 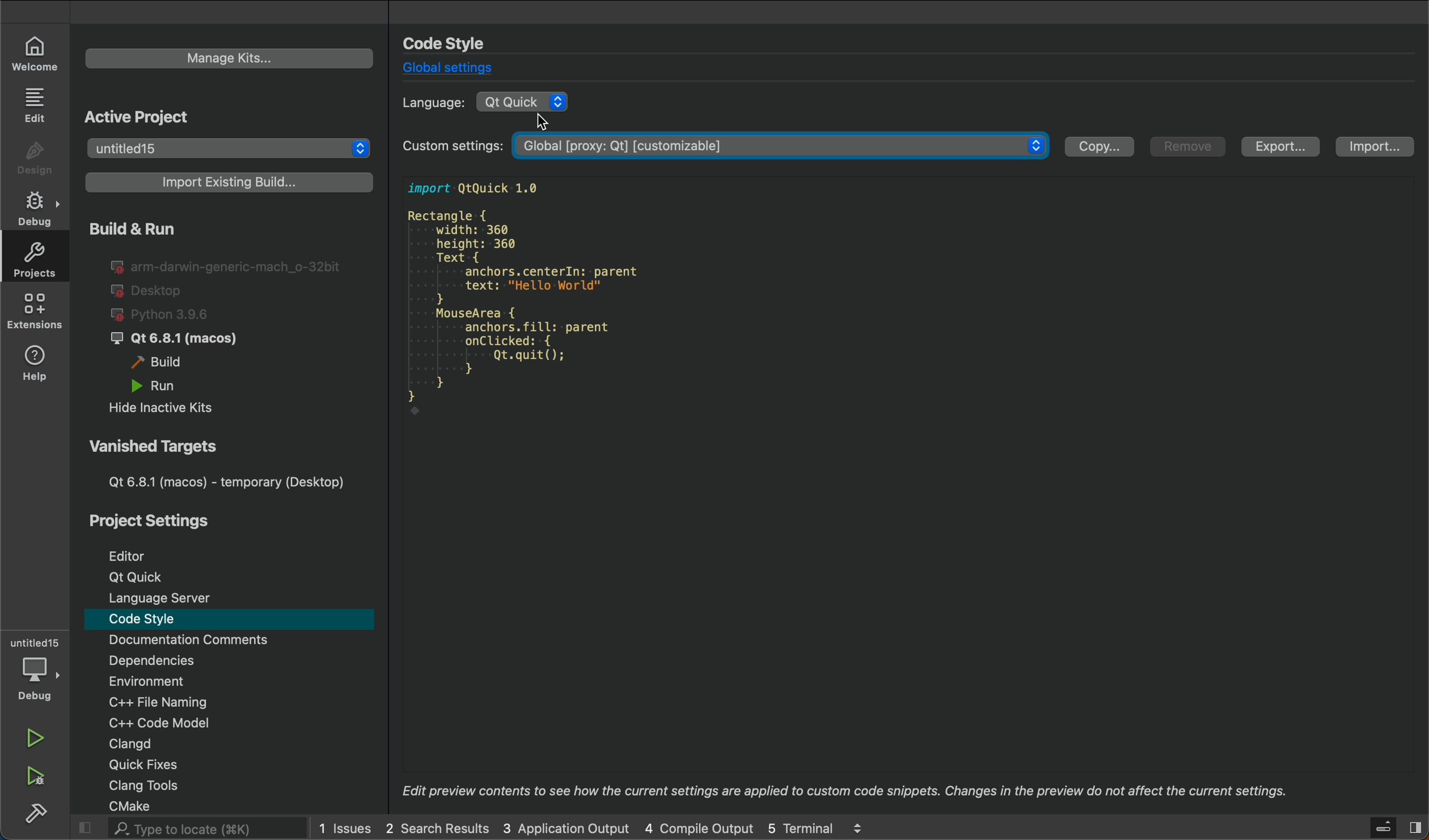 What do you see at coordinates (39, 778) in the screenshot?
I see `run and debug` at bounding box center [39, 778].